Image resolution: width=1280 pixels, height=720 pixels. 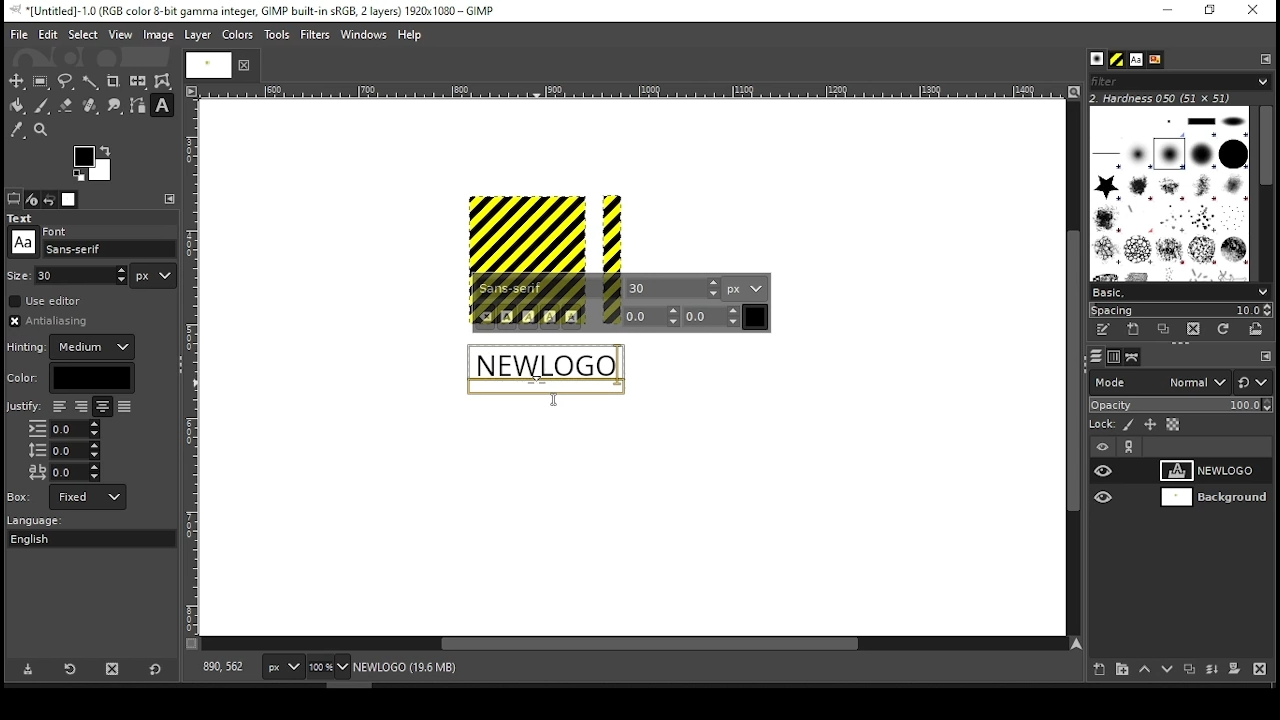 What do you see at coordinates (550, 317) in the screenshot?
I see `underline` at bounding box center [550, 317].